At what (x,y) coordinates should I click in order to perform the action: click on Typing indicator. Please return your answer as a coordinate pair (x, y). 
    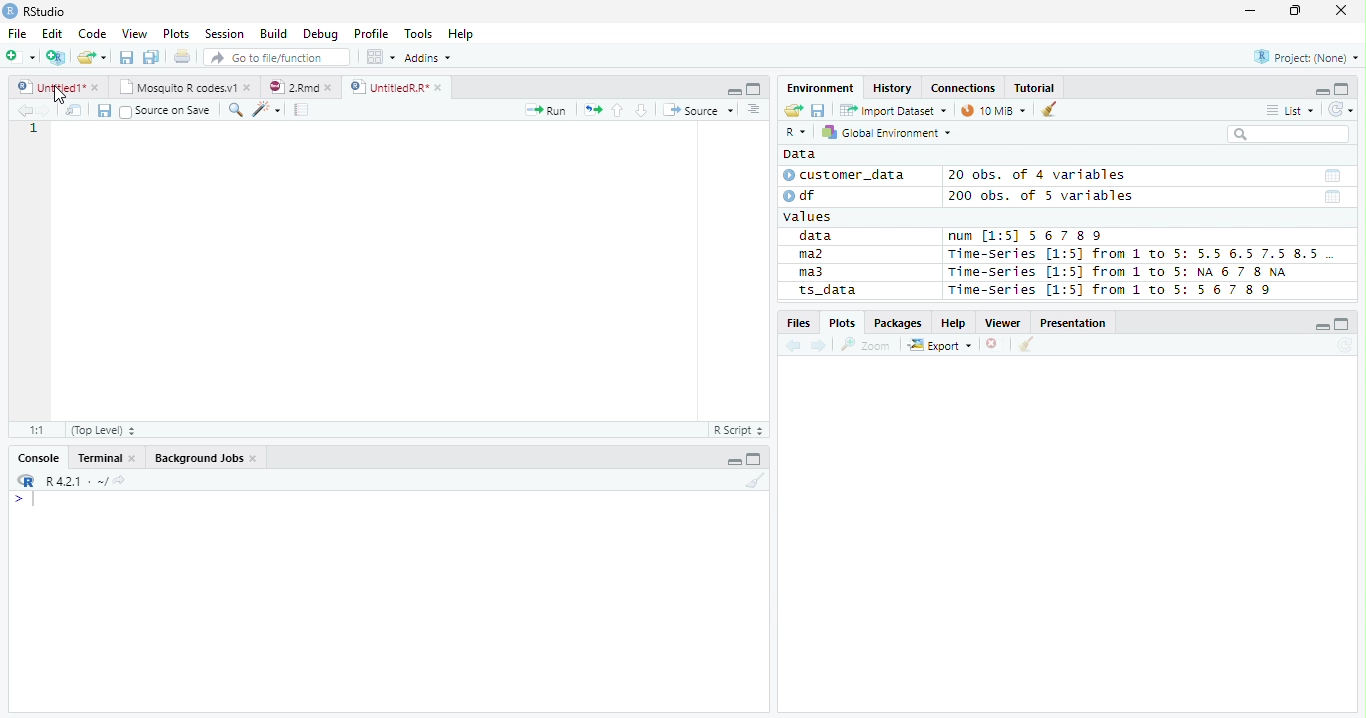
    Looking at the image, I should click on (33, 500).